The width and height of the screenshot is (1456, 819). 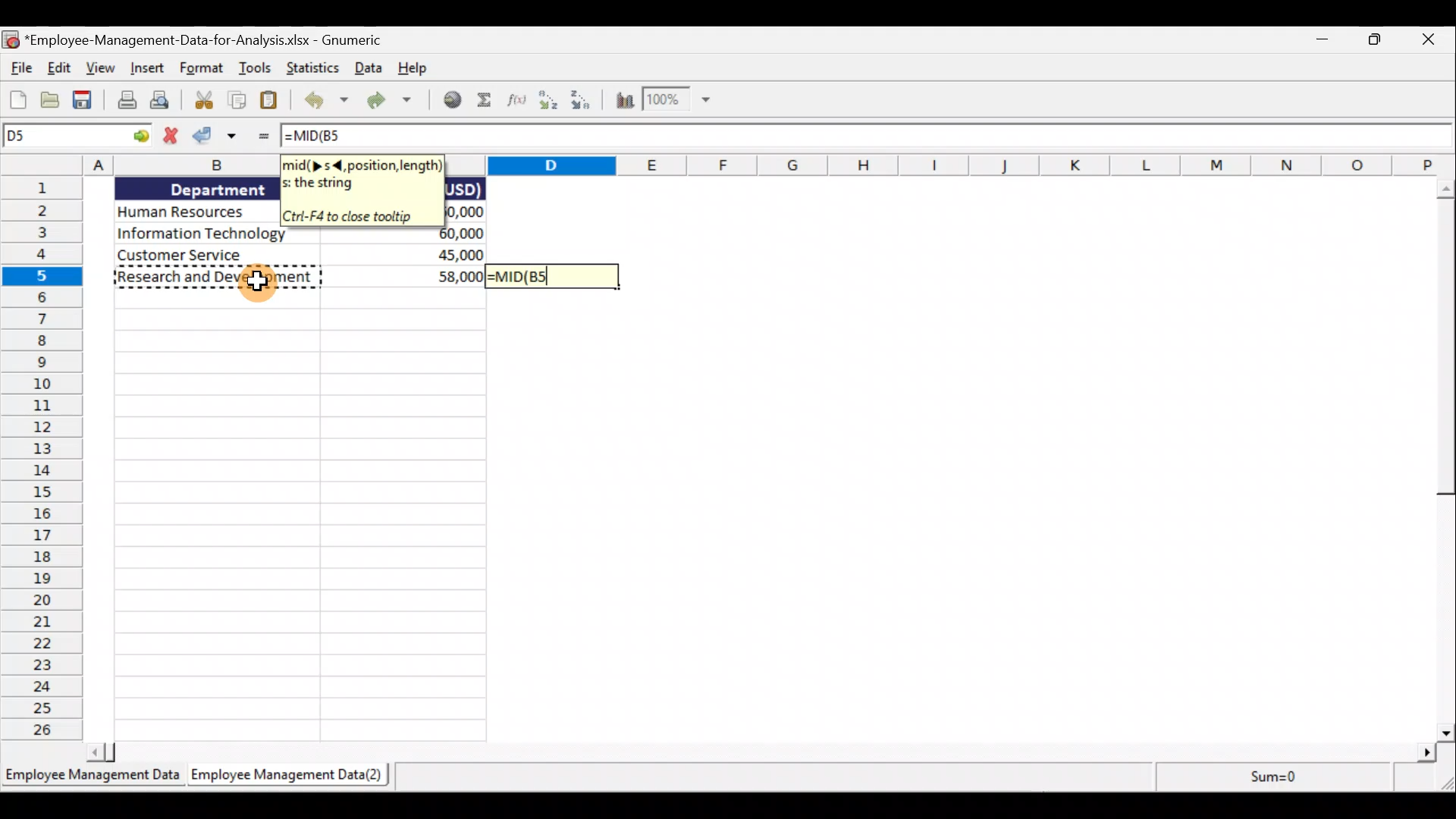 I want to click on Edit, so click(x=61, y=70).